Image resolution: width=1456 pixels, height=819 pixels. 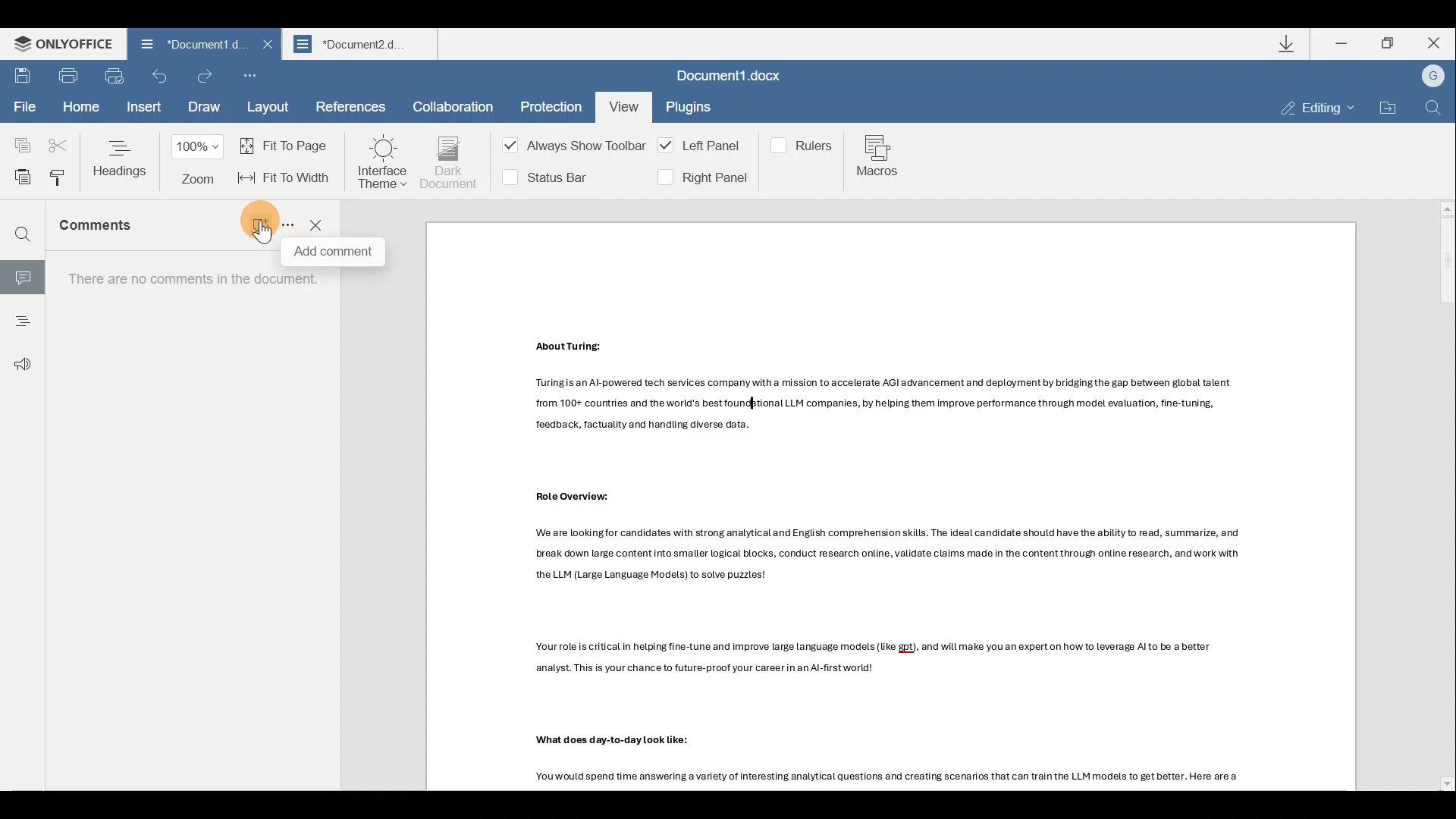 I want to click on Left panel, so click(x=702, y=146).